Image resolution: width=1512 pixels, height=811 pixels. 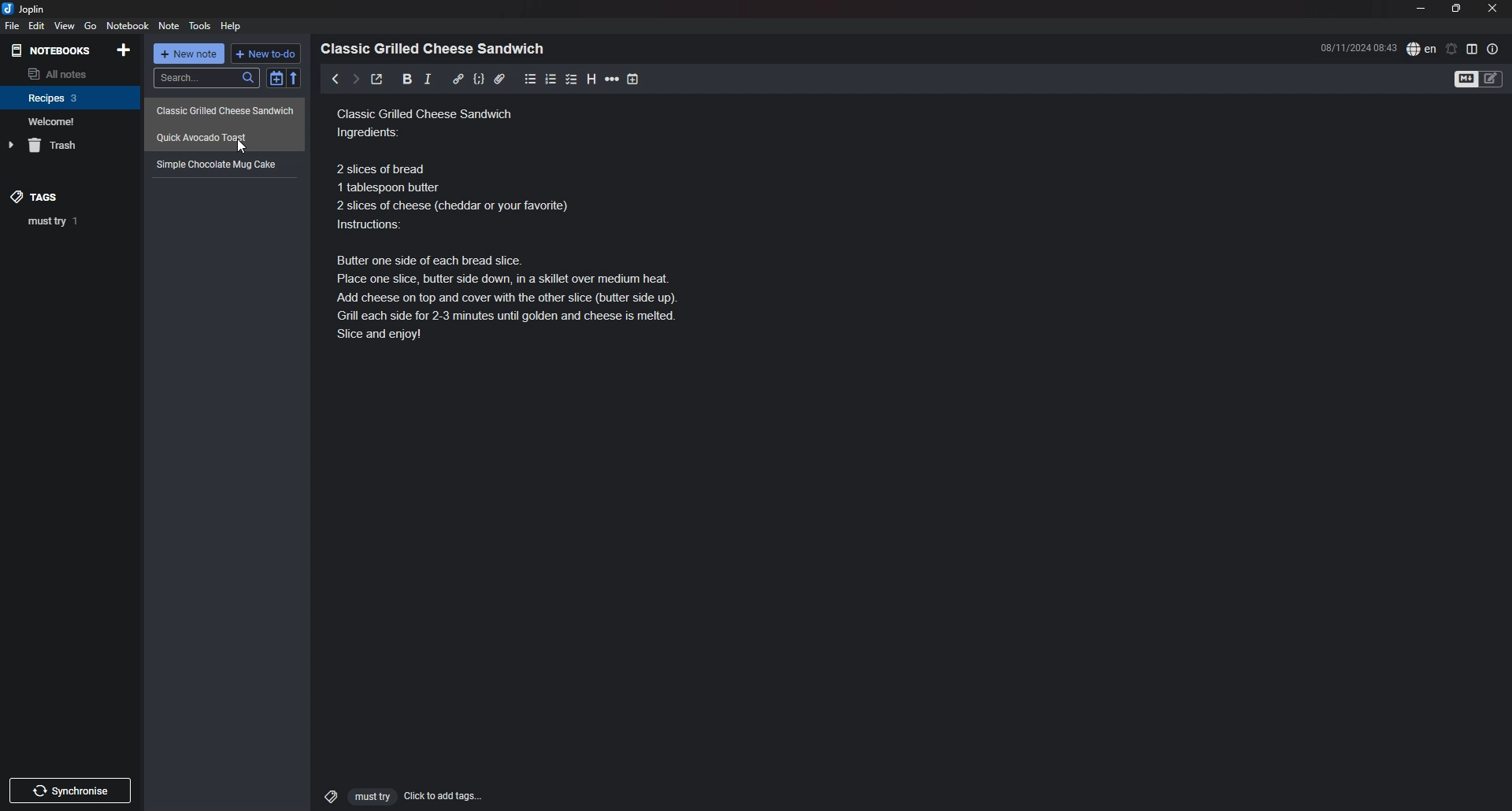 What do you see at coordinates (591, 79) in the screenshot?
I see `heading` at bounding box center [591, 79].